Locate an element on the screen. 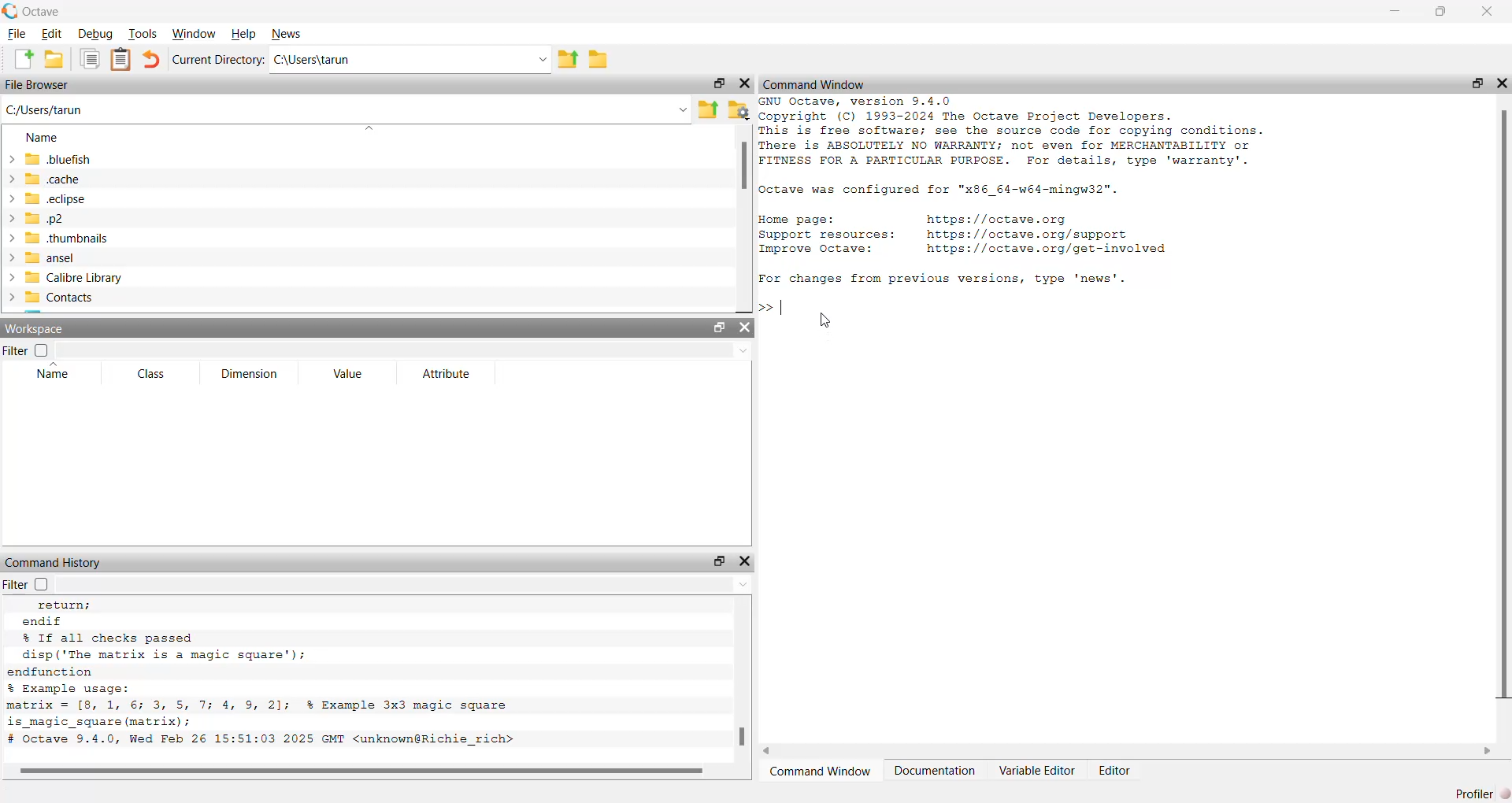  Folder is located at coordinates (598, 60).